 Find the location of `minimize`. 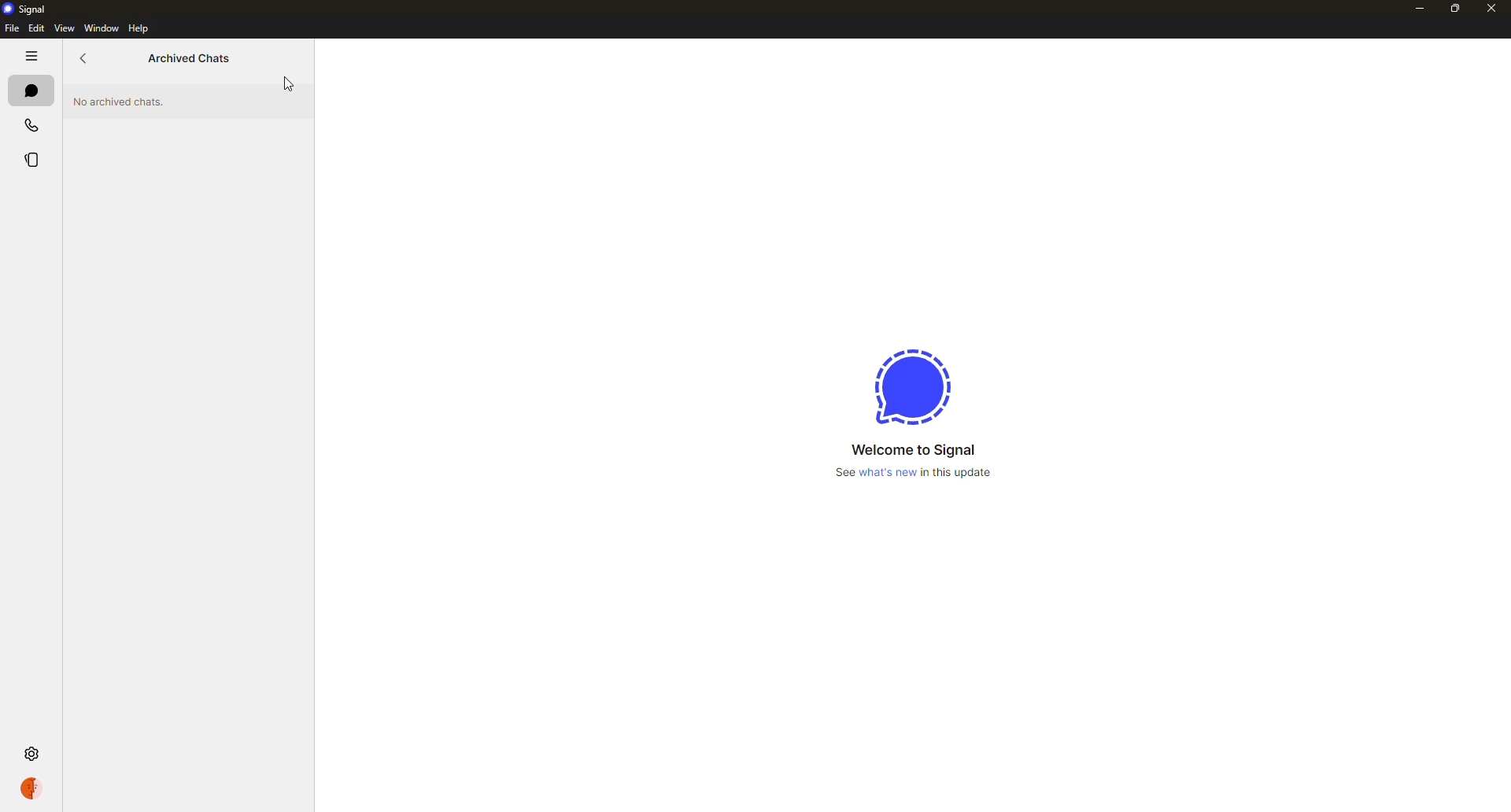

minimize is located at coordinates (1420, 9).